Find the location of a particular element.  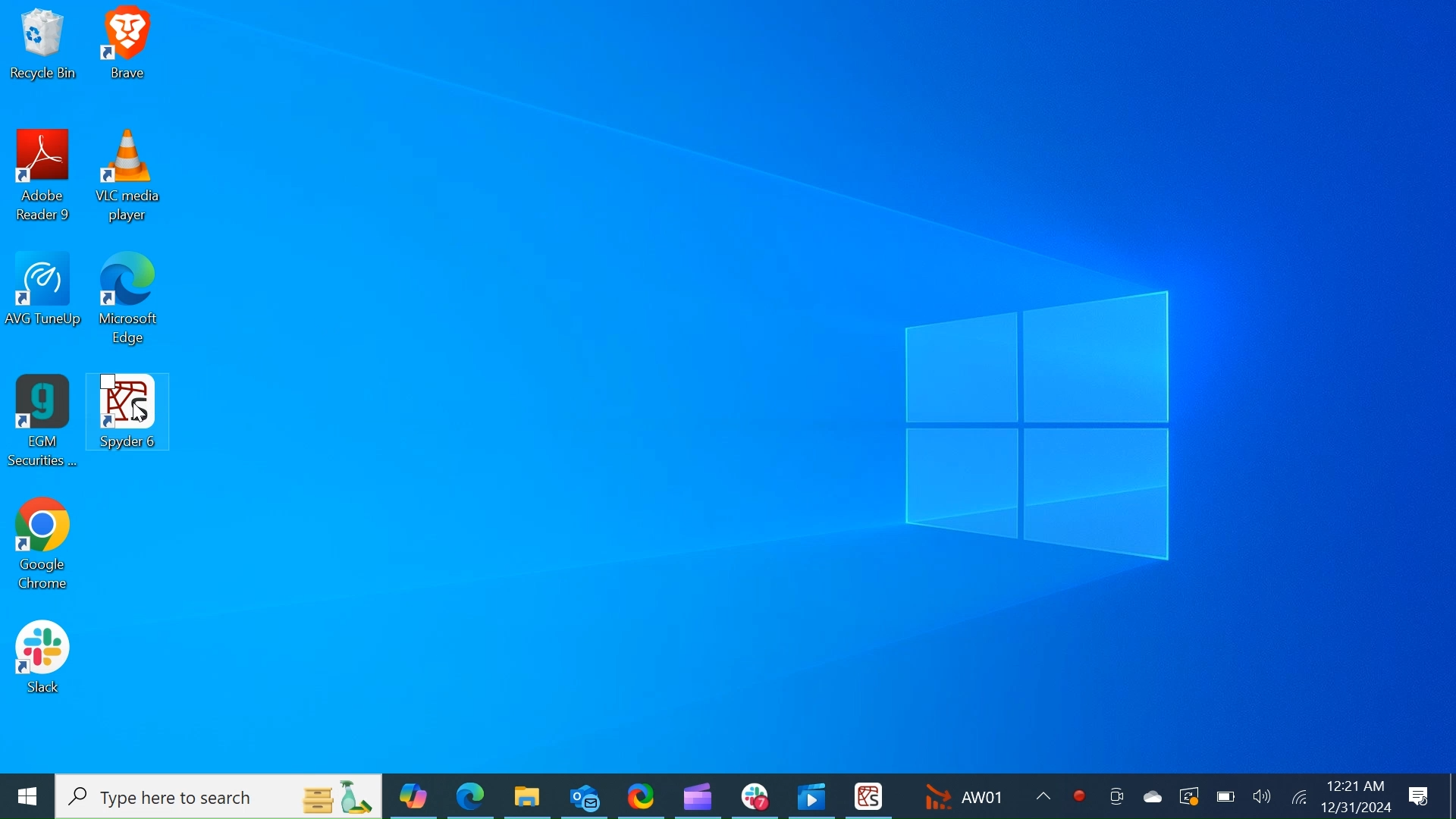

Charge is located at coordinates (1225, 795).